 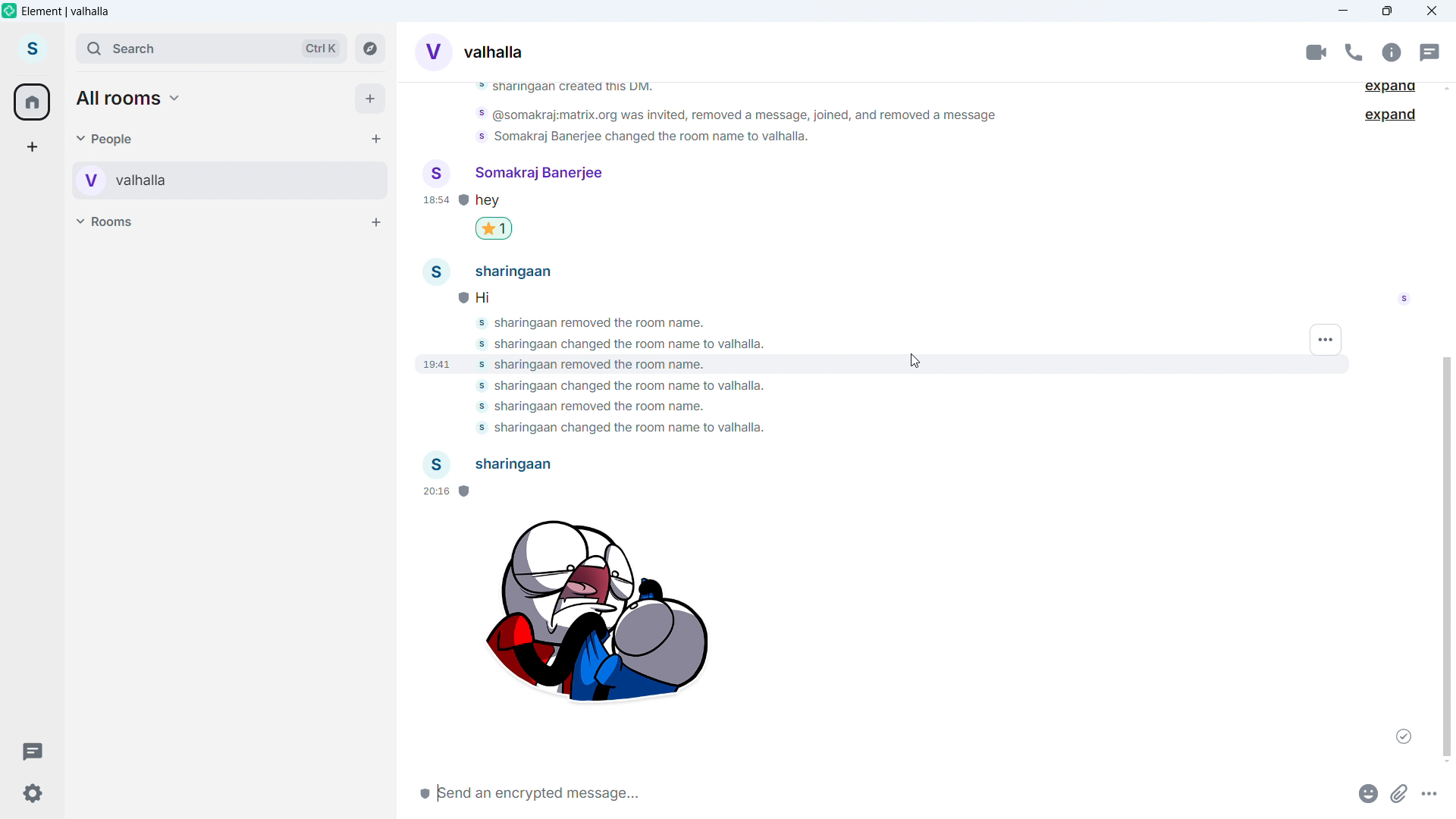 What do you see at coordinates (501, 296) in the screenshot?
I see `Hi` at bounding box center [501, 296].